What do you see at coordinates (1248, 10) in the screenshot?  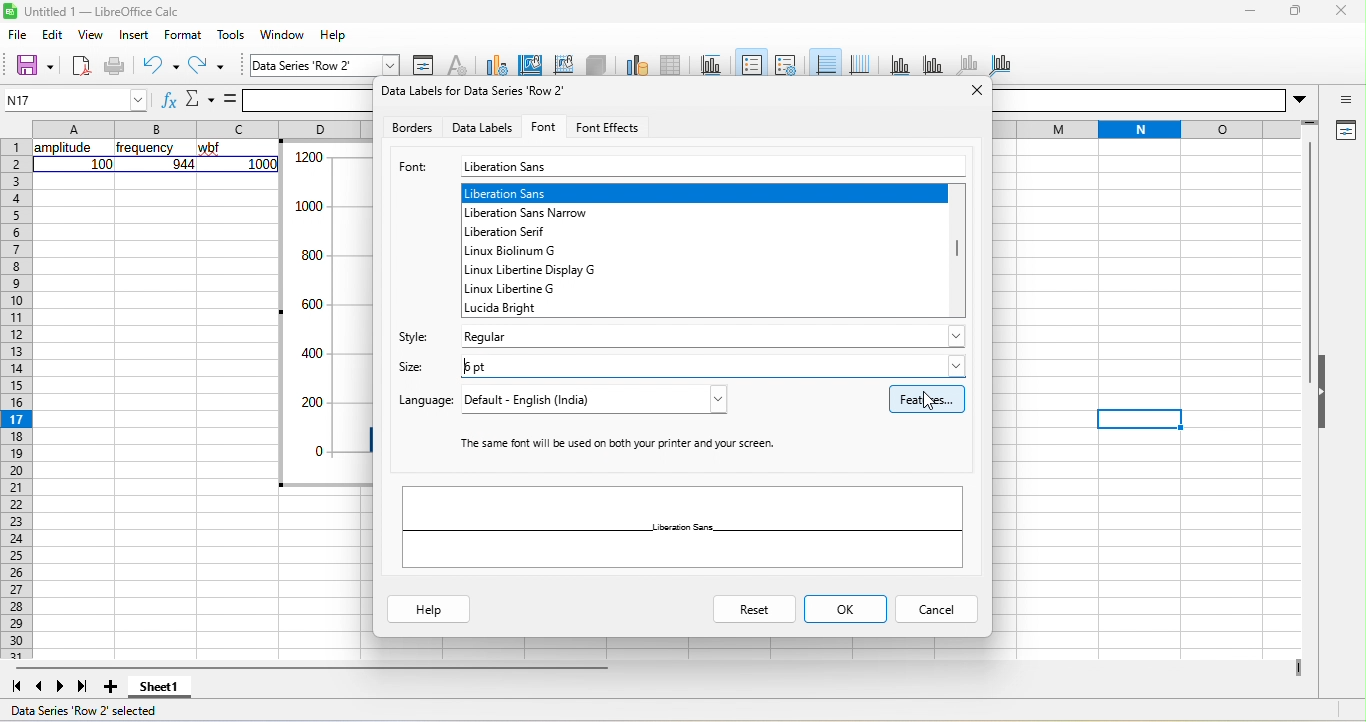 I see `minimize` at bounding box center [1248, 10].